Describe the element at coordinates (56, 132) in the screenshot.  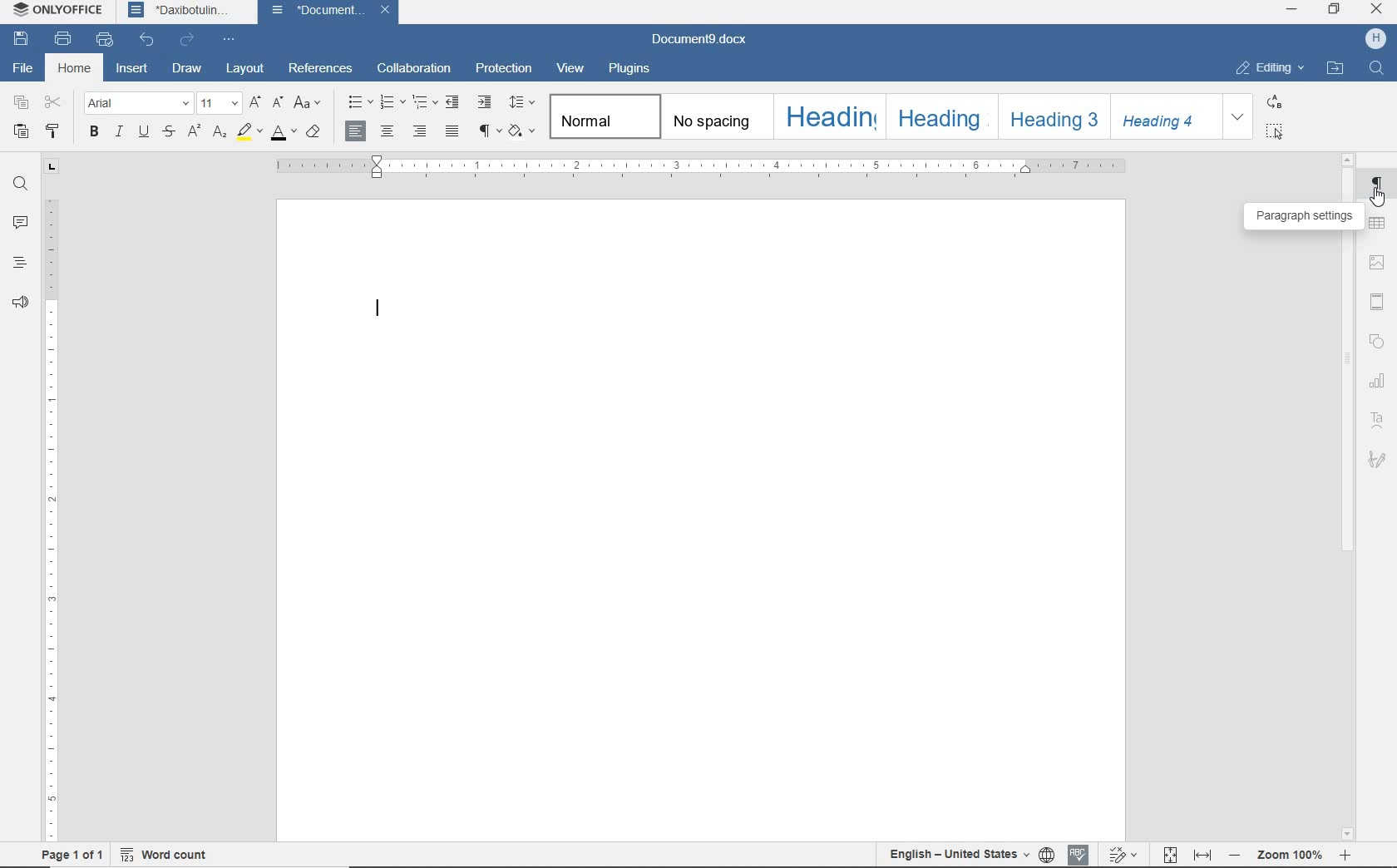
I see `copy style` at that location.